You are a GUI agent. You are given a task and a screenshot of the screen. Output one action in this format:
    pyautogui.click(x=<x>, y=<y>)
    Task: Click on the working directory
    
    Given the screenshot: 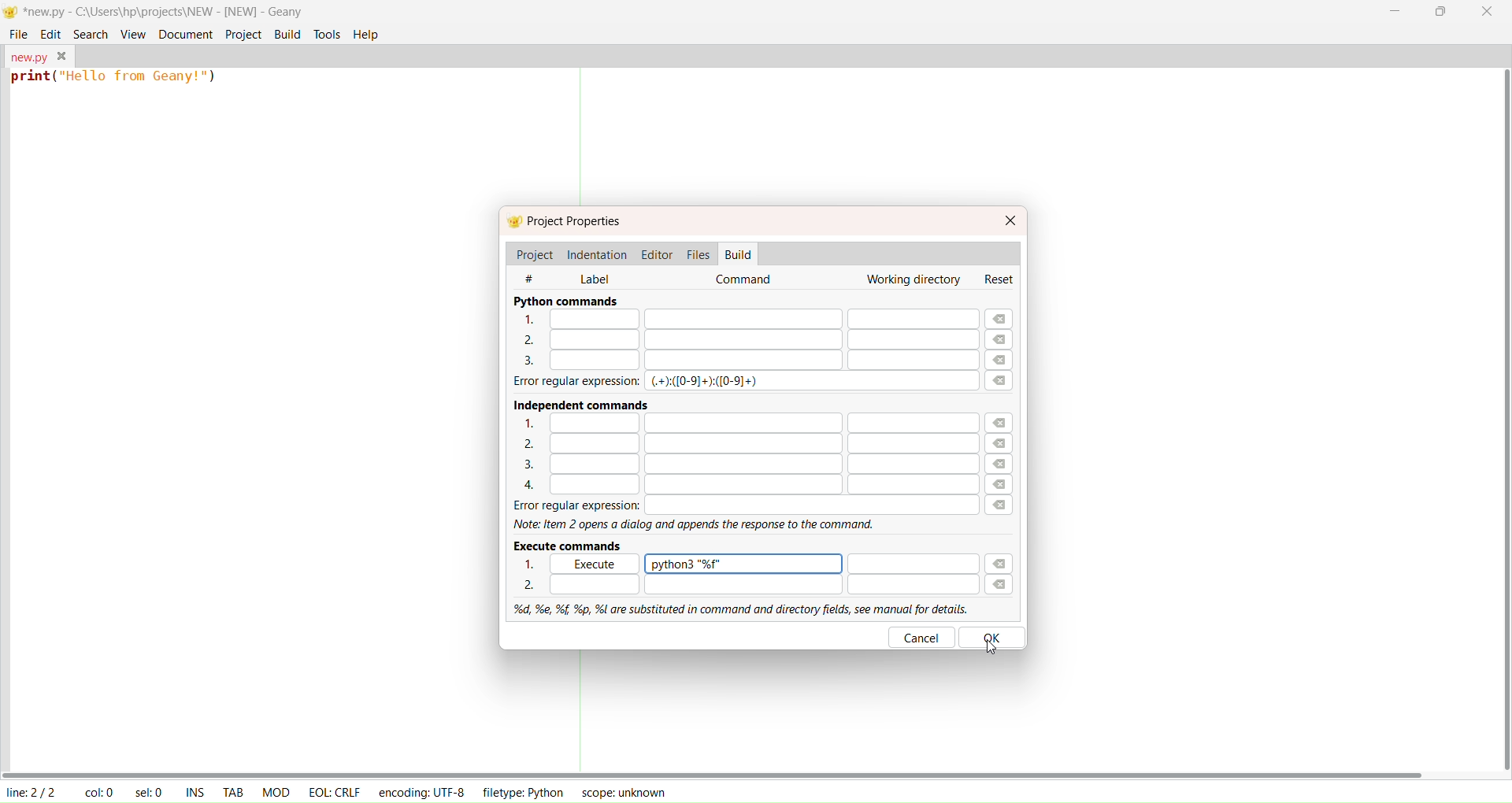 What is the action you would take?
    pyautogui.click(x=911, y=280)
    